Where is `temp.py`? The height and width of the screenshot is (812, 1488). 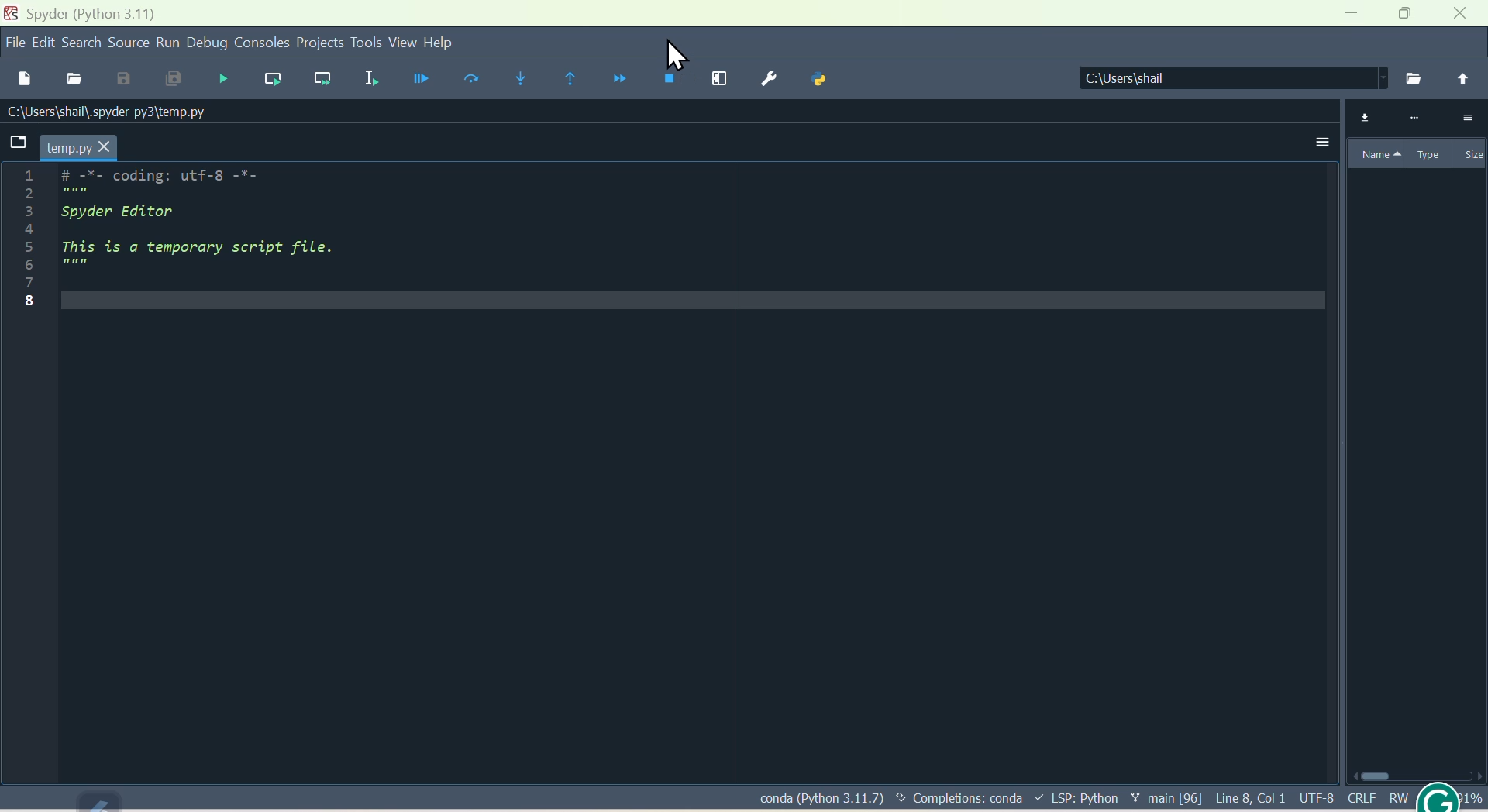 temp.py is located at coordinates (67, 147).